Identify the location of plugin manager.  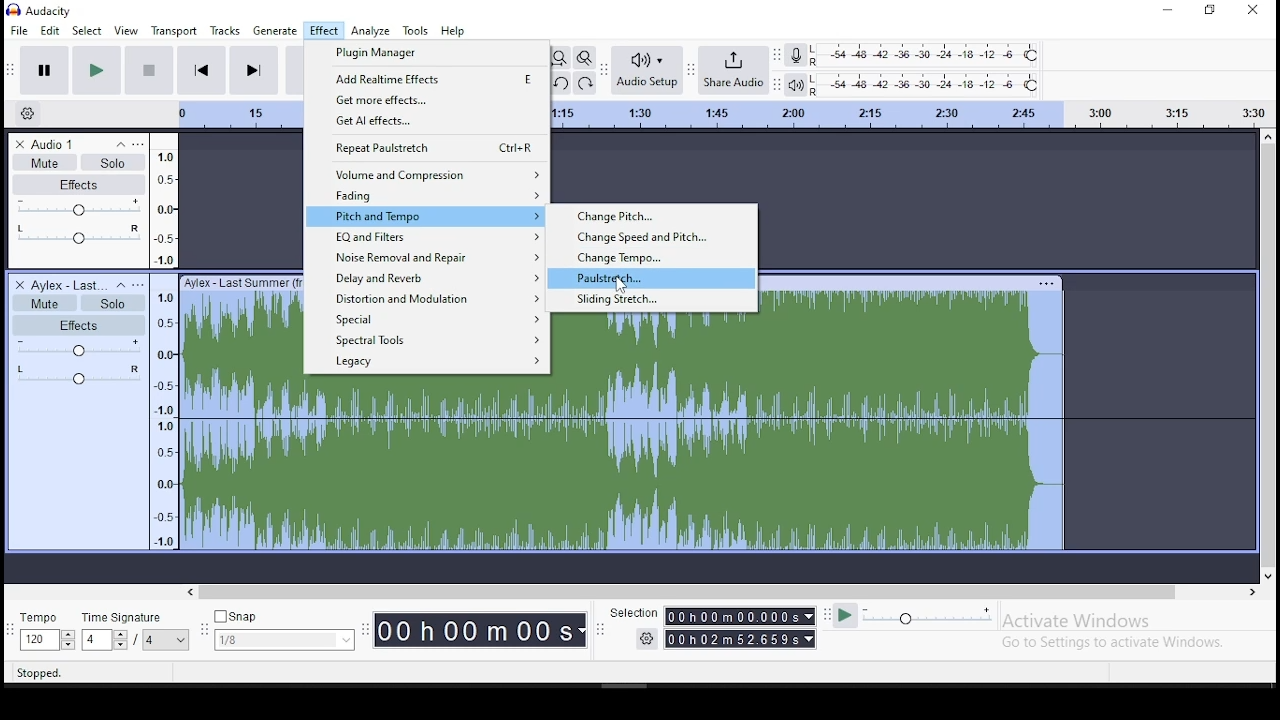
(428, 54).